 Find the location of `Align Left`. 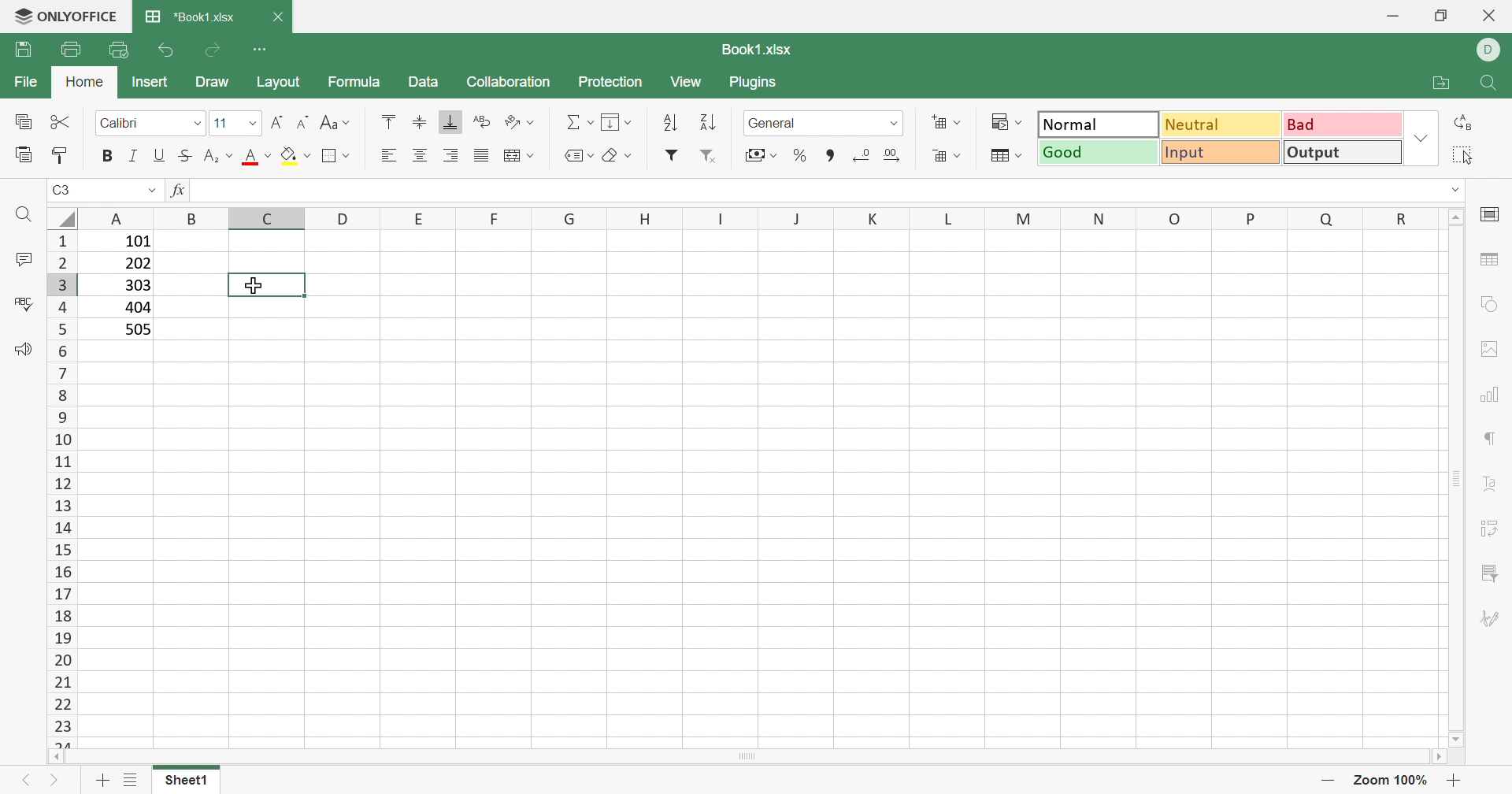

Align Left is located at coordinates (388, 156).